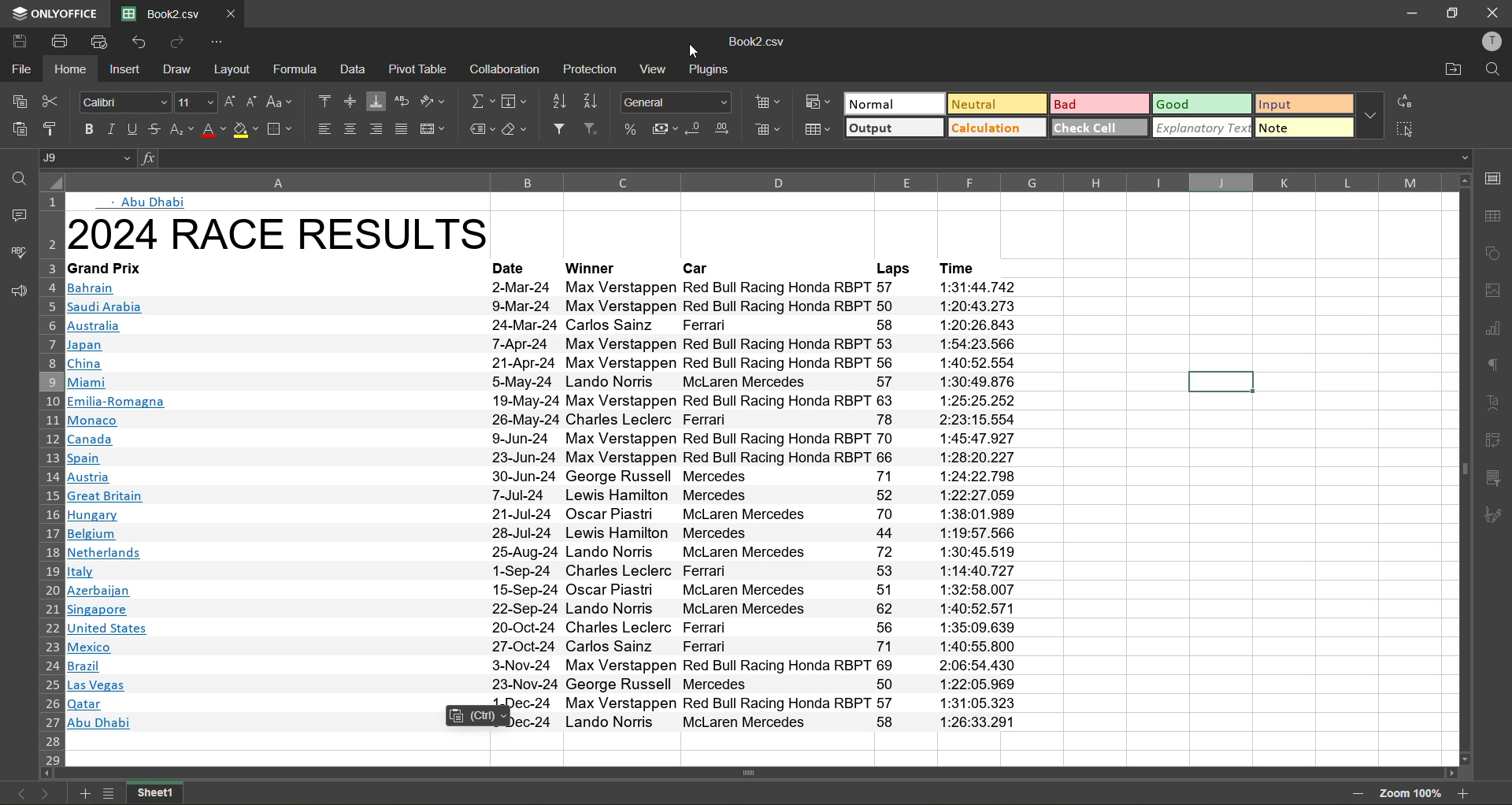 Image resolution: width=1512 pixels, height=805 pixels. Describe the element at coordinates (326, 100) in the screenshot. I see `align top` at that location.